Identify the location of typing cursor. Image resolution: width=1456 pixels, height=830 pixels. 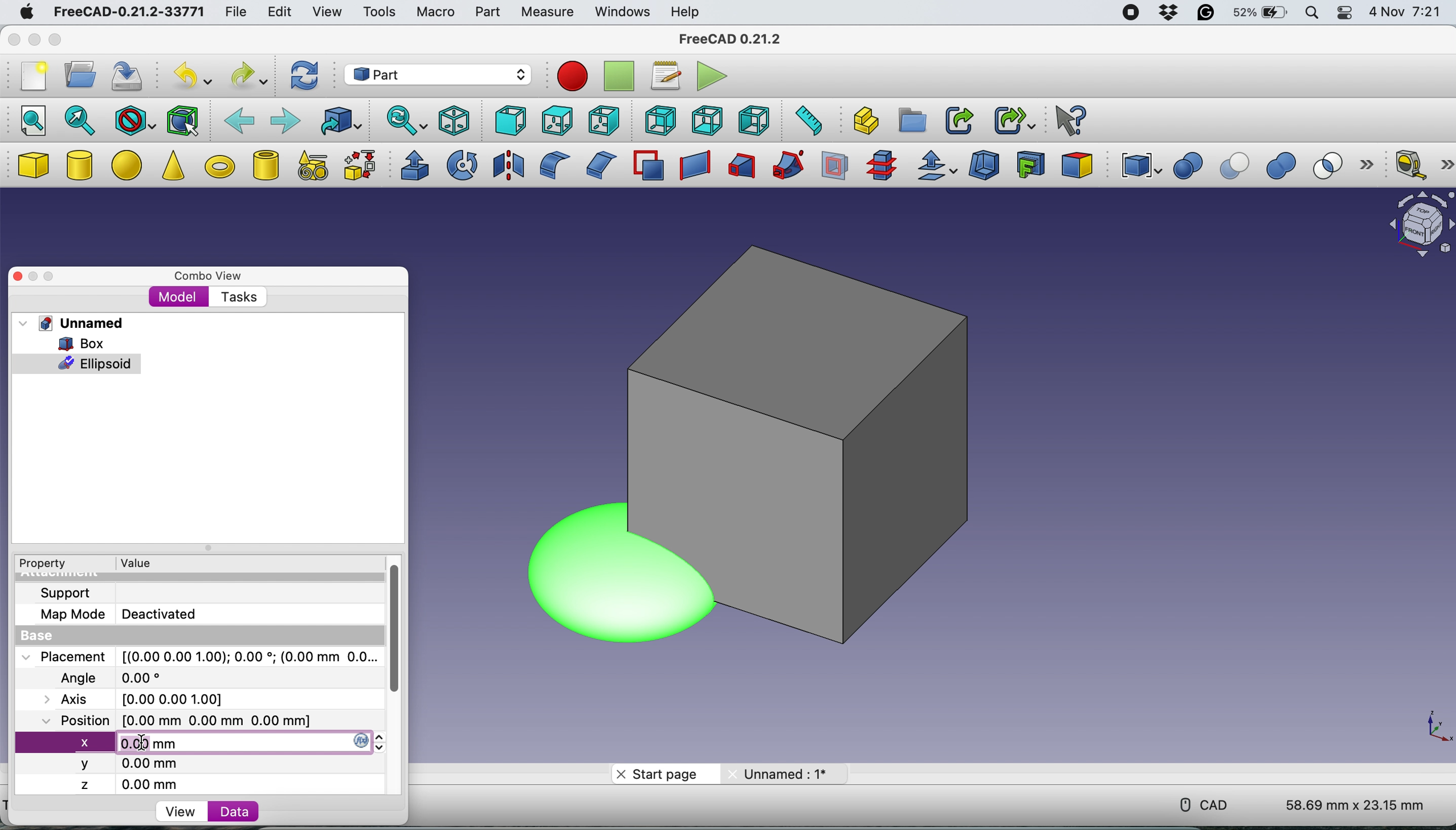
(148, 743).